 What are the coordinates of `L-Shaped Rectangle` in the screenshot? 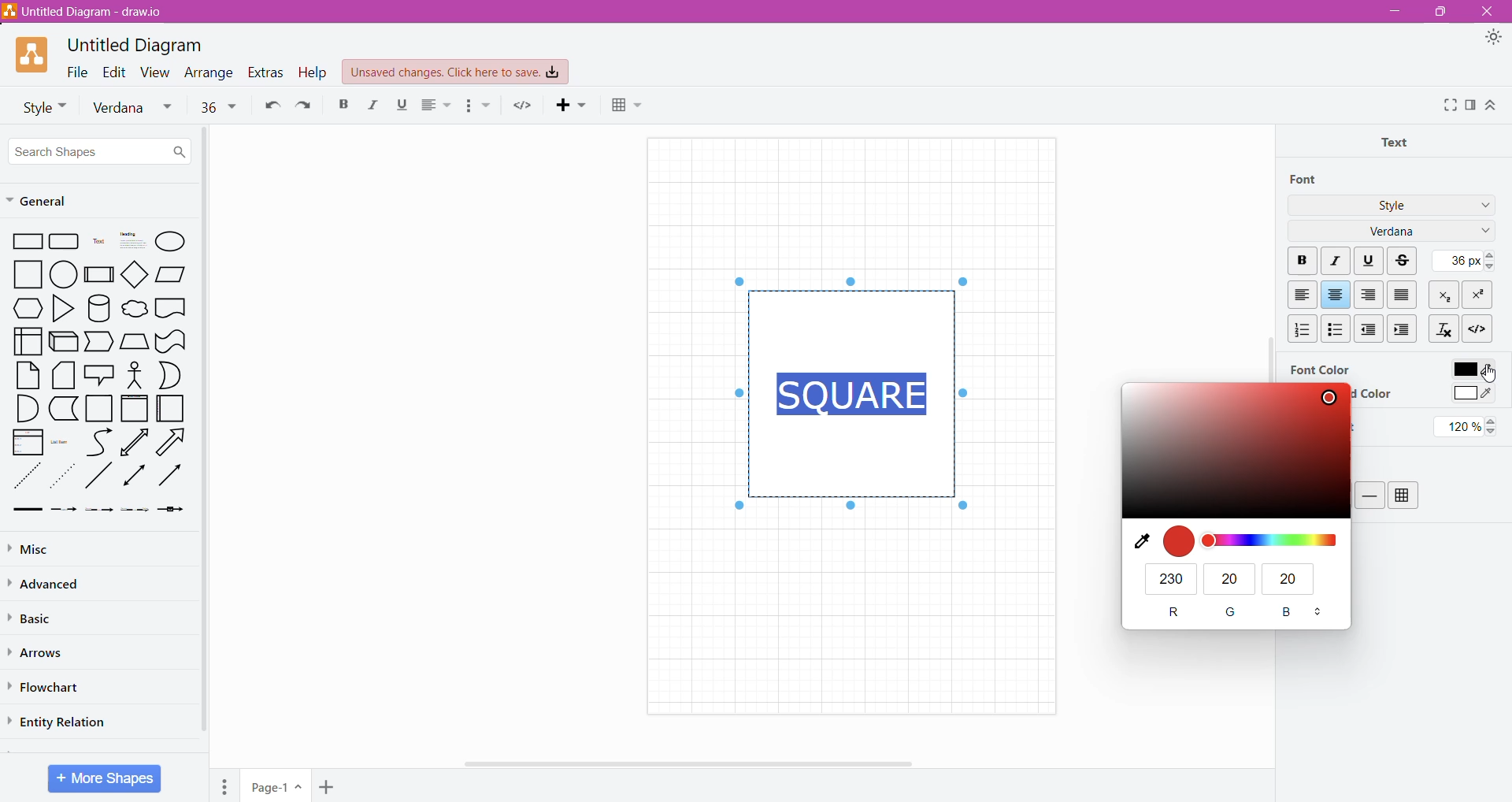 It's located at (61, 408).